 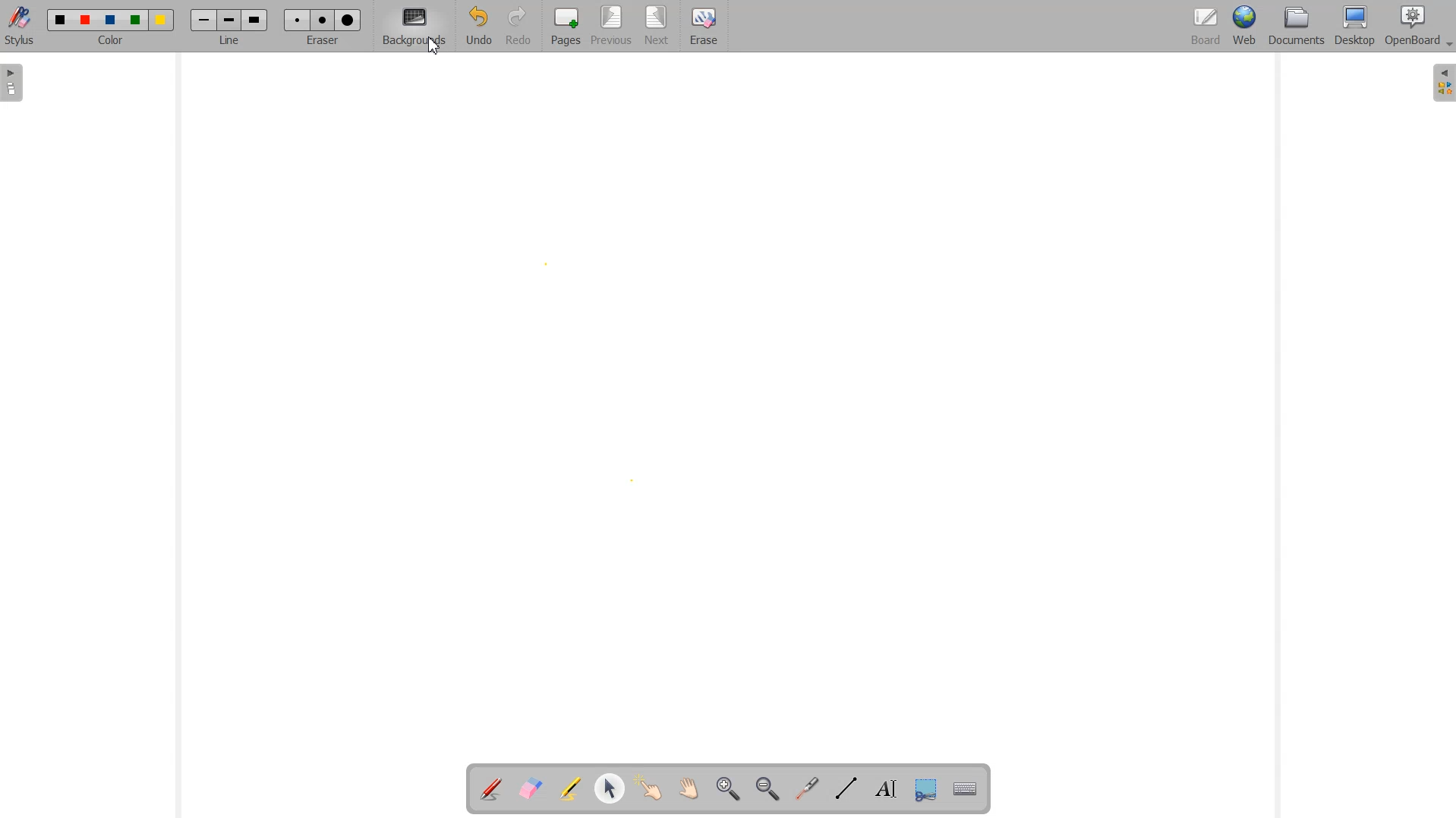 I want to click on Virtual Laser Pointer, so click(x=803, y=790).